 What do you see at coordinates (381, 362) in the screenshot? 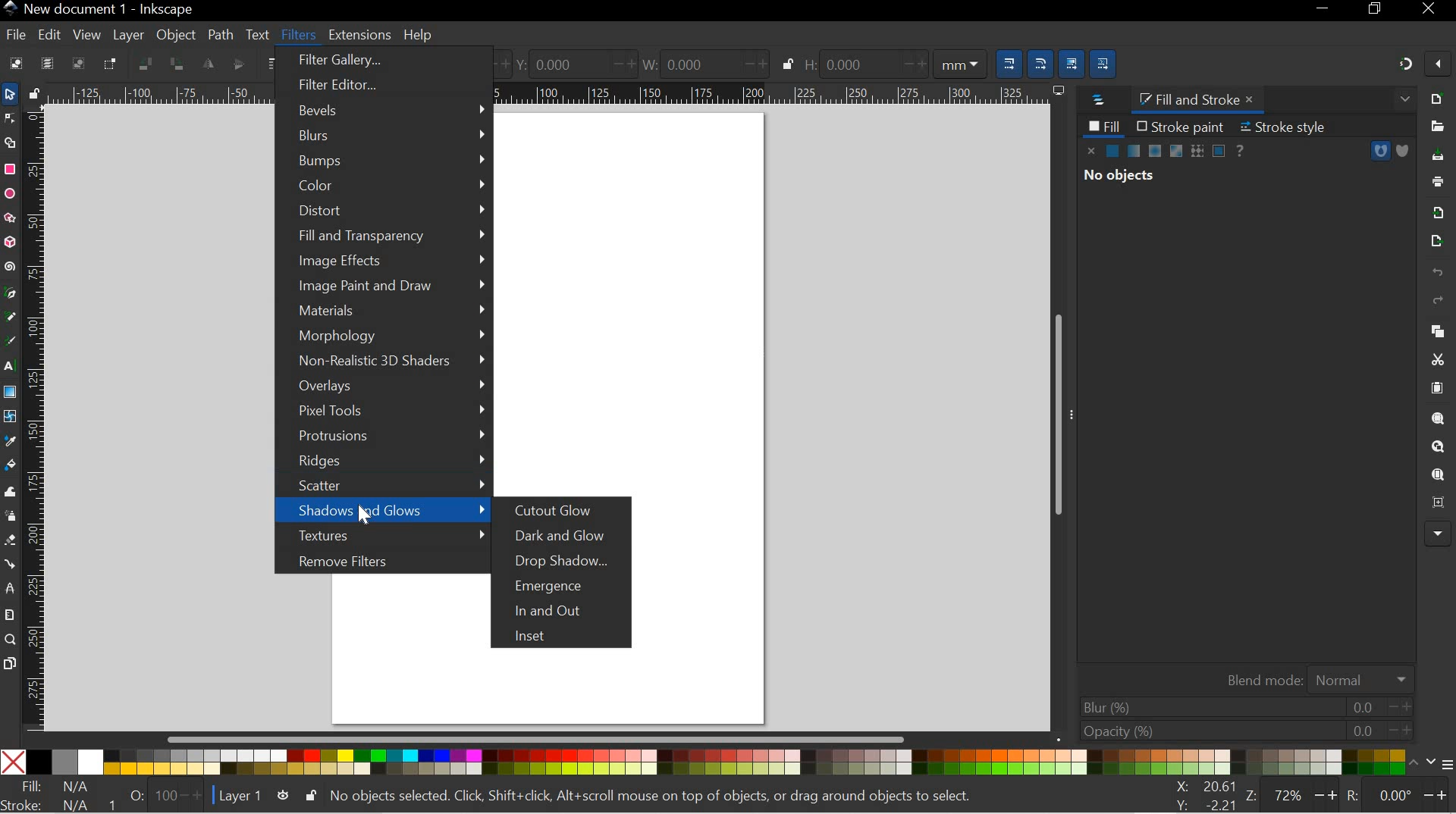
I see `NON-REALISTIC 3D SHADERS` at bounding box center [381, 362].